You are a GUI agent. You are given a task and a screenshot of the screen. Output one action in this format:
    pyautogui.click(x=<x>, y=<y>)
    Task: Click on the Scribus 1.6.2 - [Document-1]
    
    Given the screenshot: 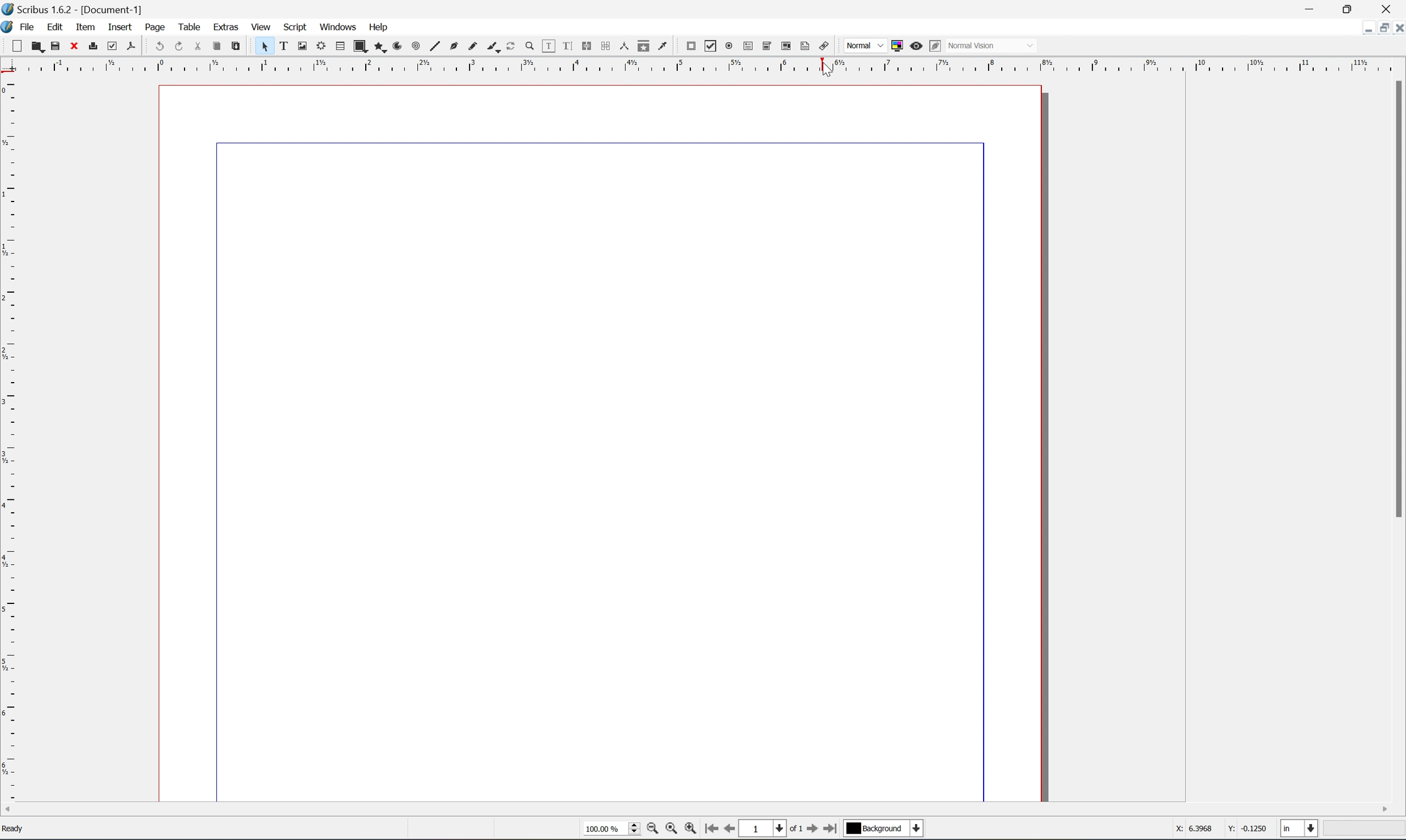 What is the action you would take?
    pyautogui.click(x=88, y=9)
    